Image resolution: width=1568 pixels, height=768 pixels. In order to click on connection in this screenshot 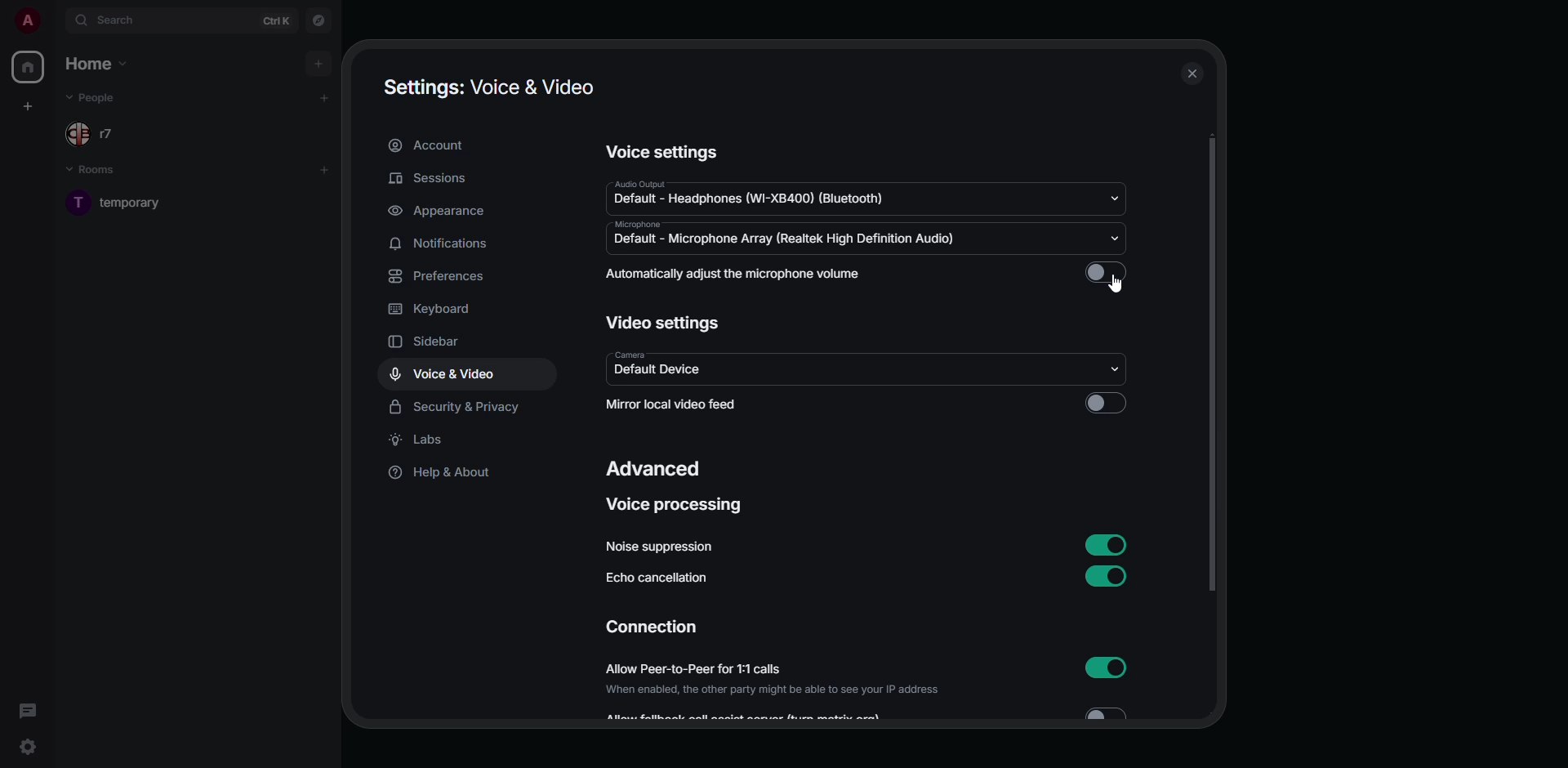, I will do `click(652, 627)`.